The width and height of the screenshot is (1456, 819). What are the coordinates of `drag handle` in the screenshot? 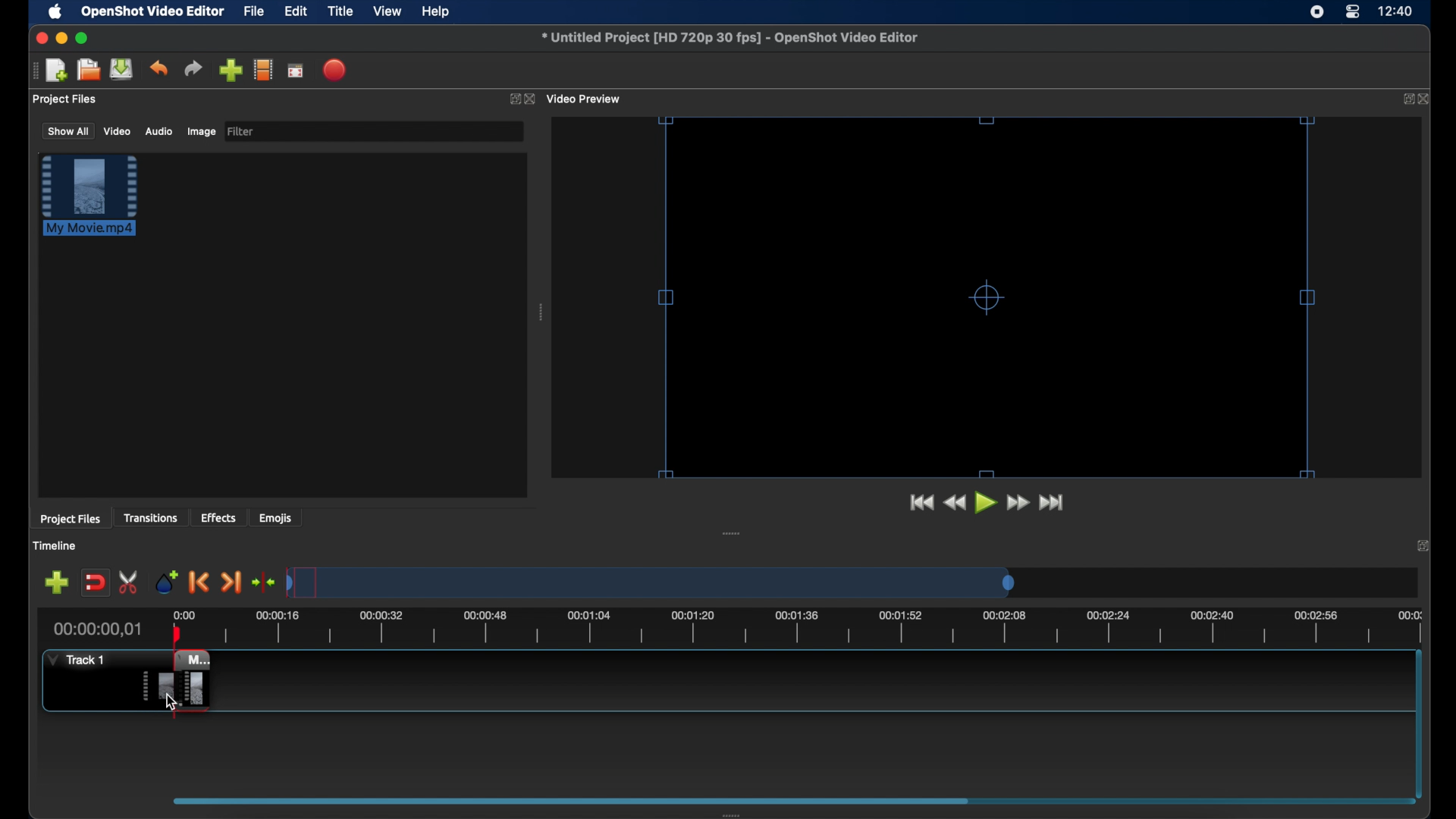 It's located at (732, 535).